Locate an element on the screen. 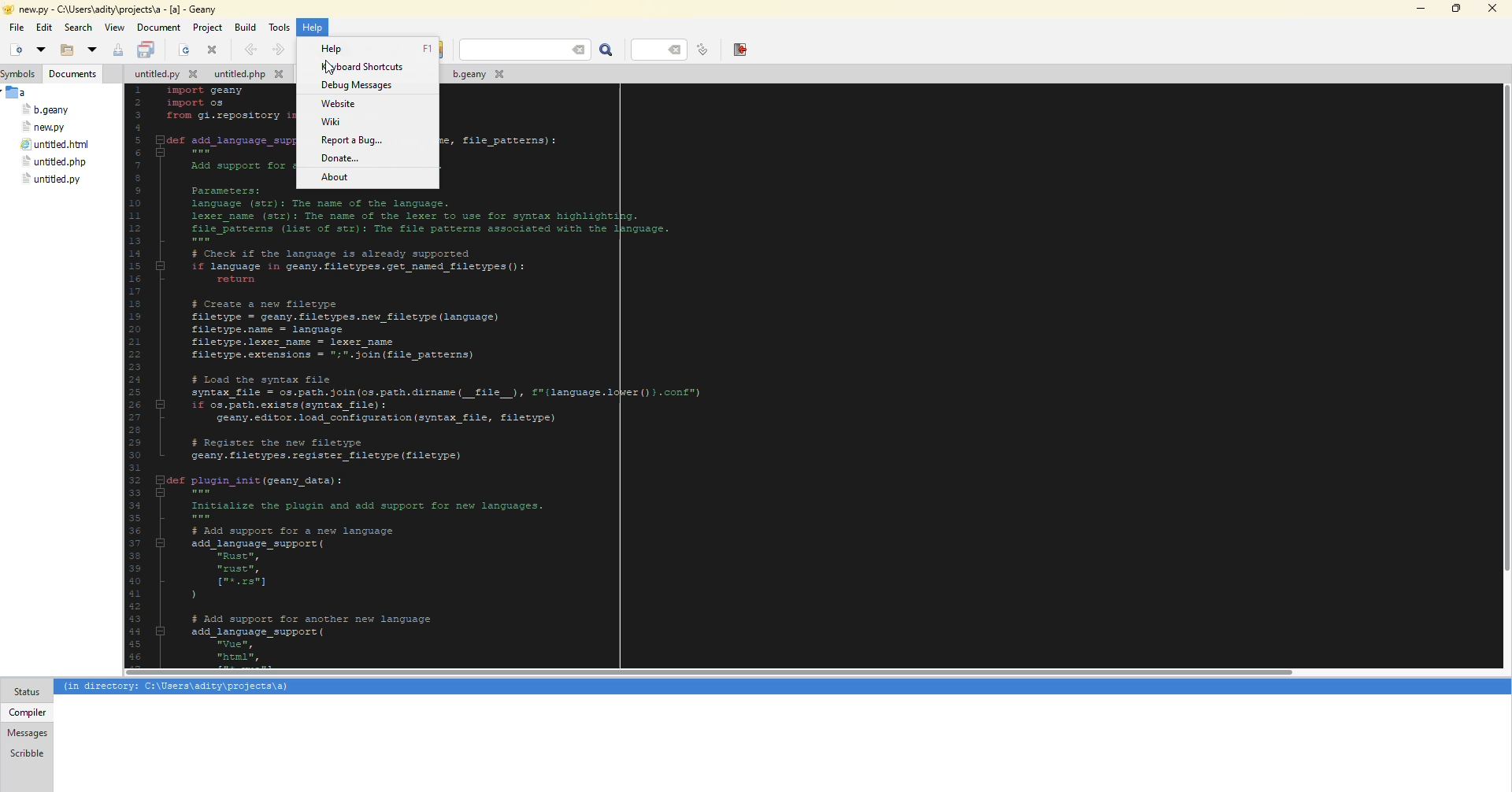 This screenshot has height=792, width=1512. save is located at coordinates (118, 50).